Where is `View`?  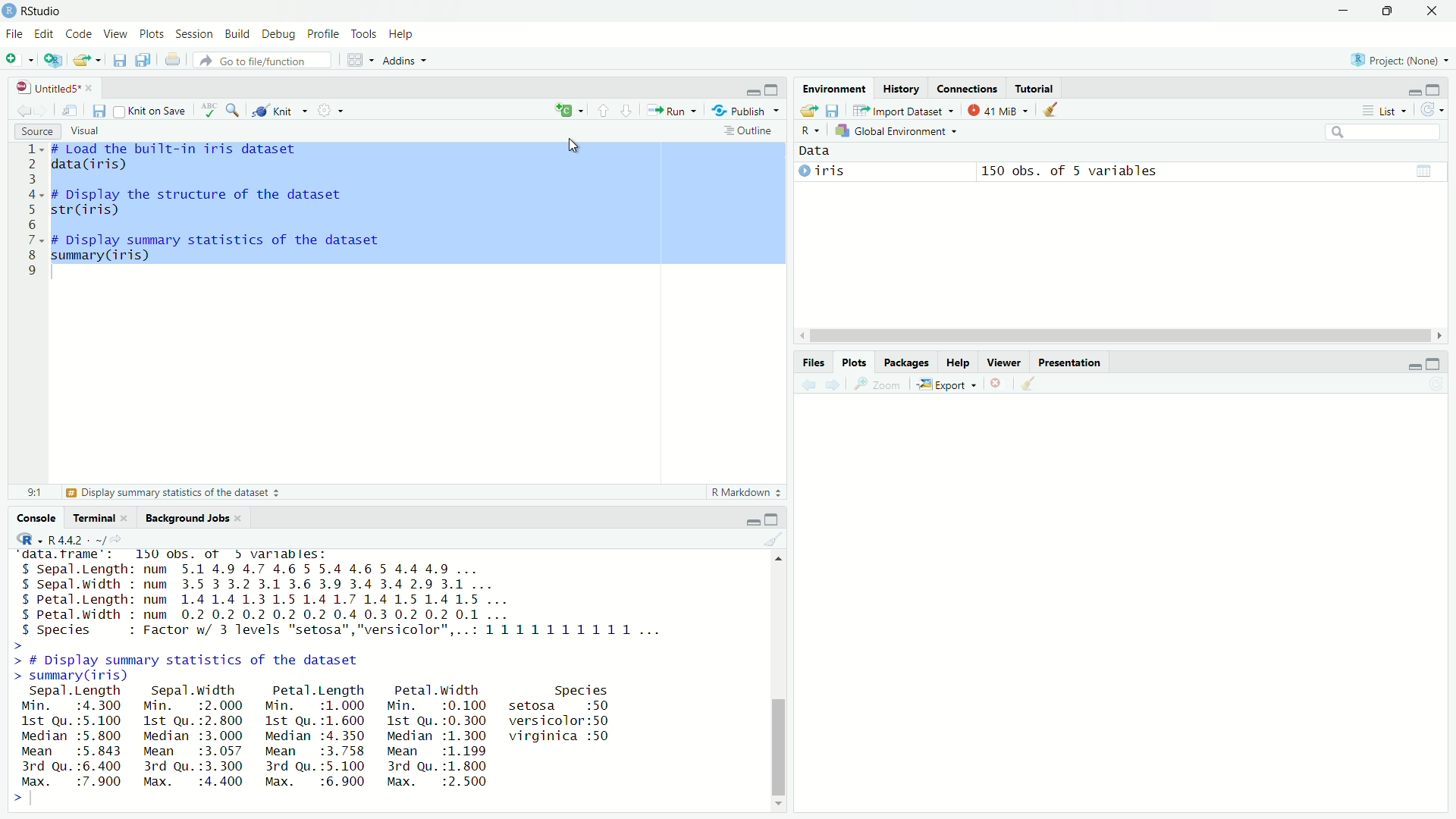
View is located at coordinates (115, 33).